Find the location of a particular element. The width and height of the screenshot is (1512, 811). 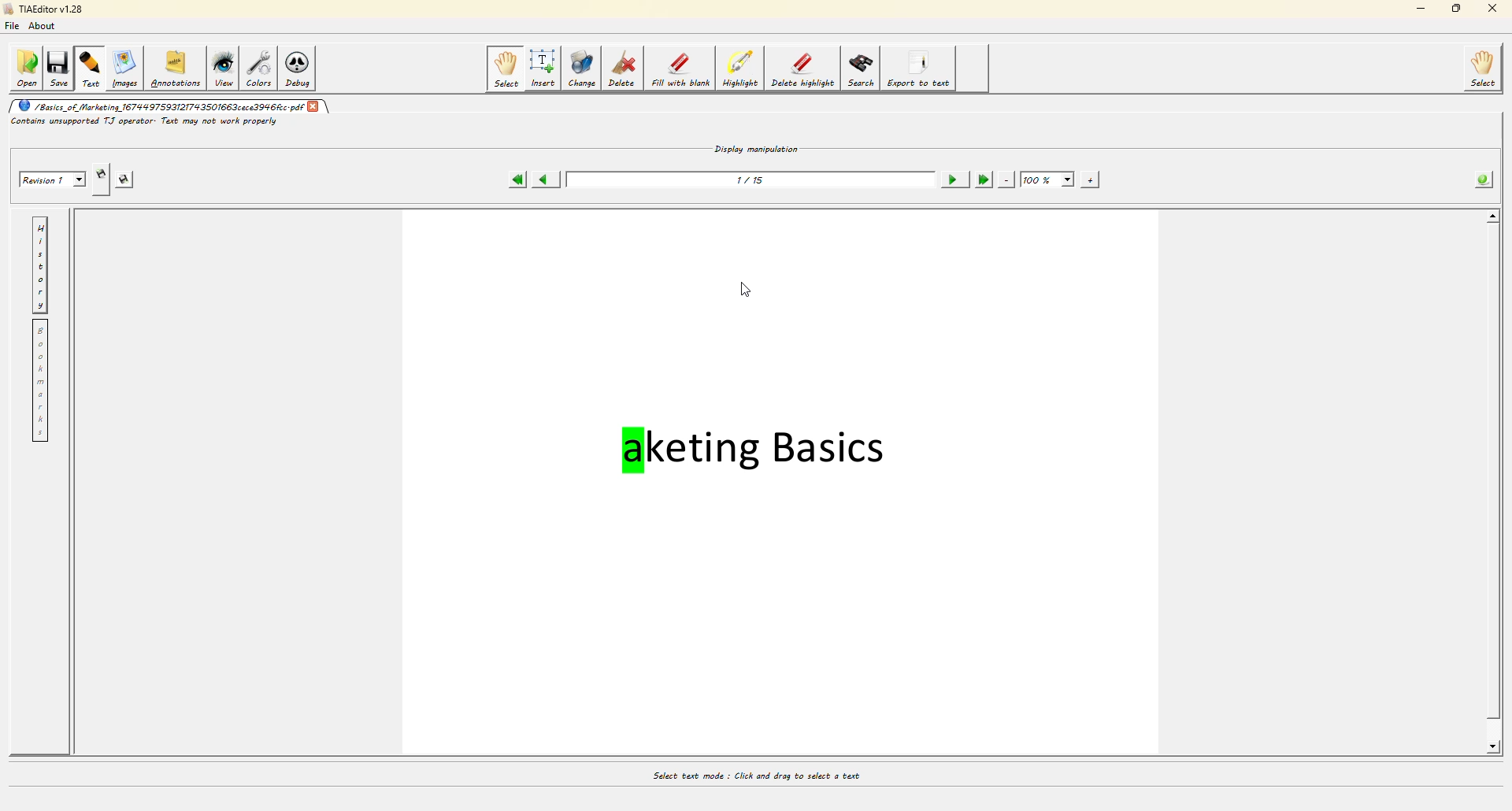

minimize is located at coordinates (1414, 9).